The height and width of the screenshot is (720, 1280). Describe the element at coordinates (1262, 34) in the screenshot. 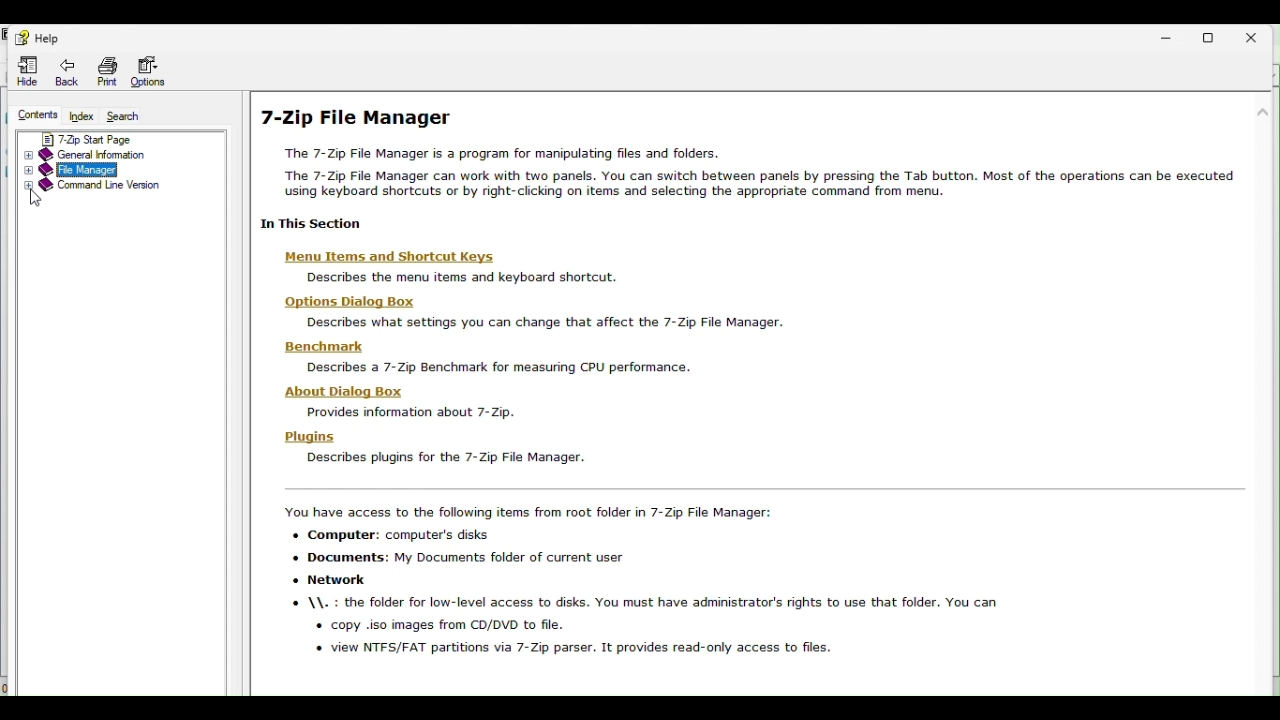

I see `Close` at that location.